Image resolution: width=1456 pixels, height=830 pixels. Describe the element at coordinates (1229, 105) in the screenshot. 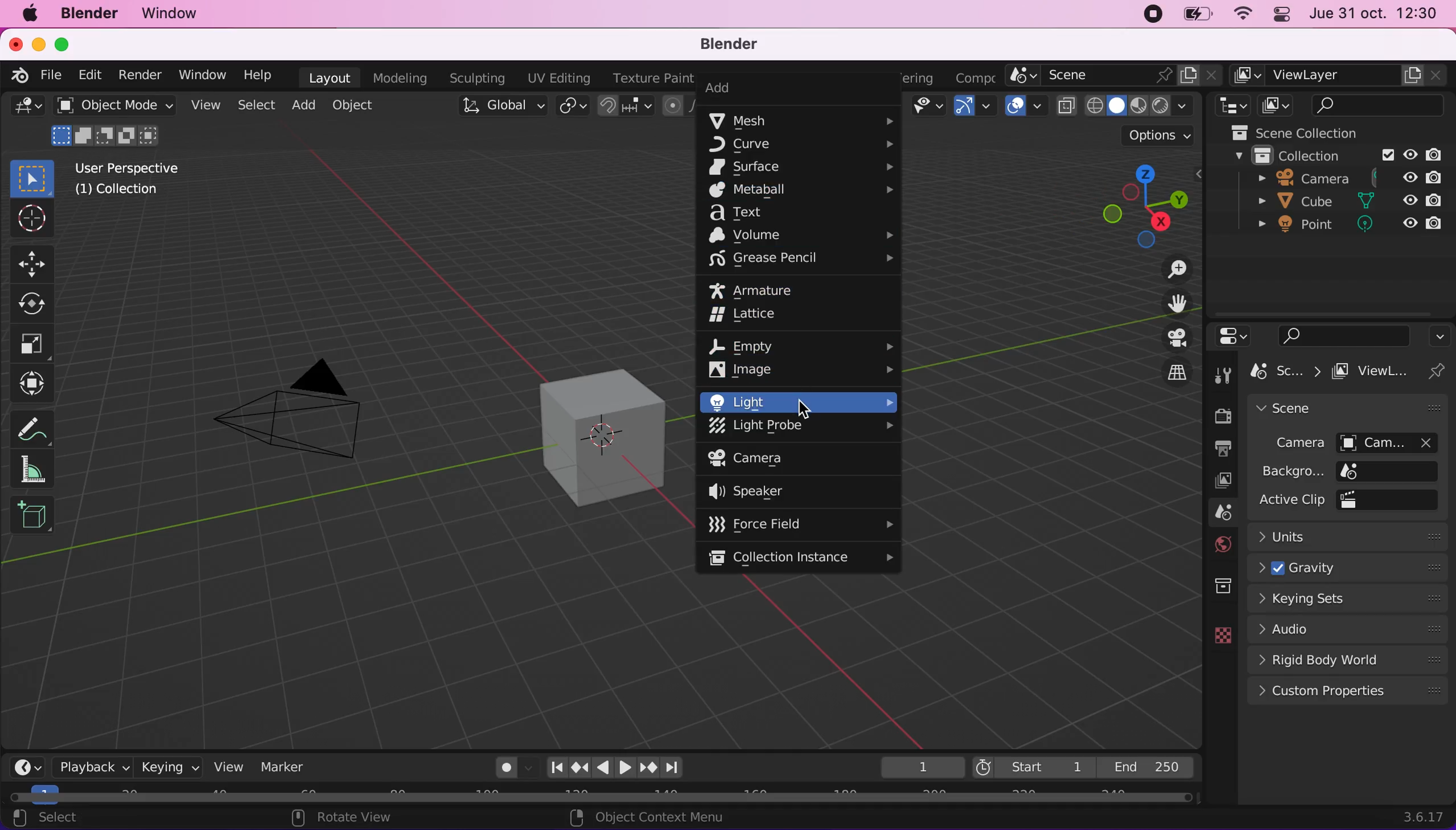

I see `editor type` at that location.